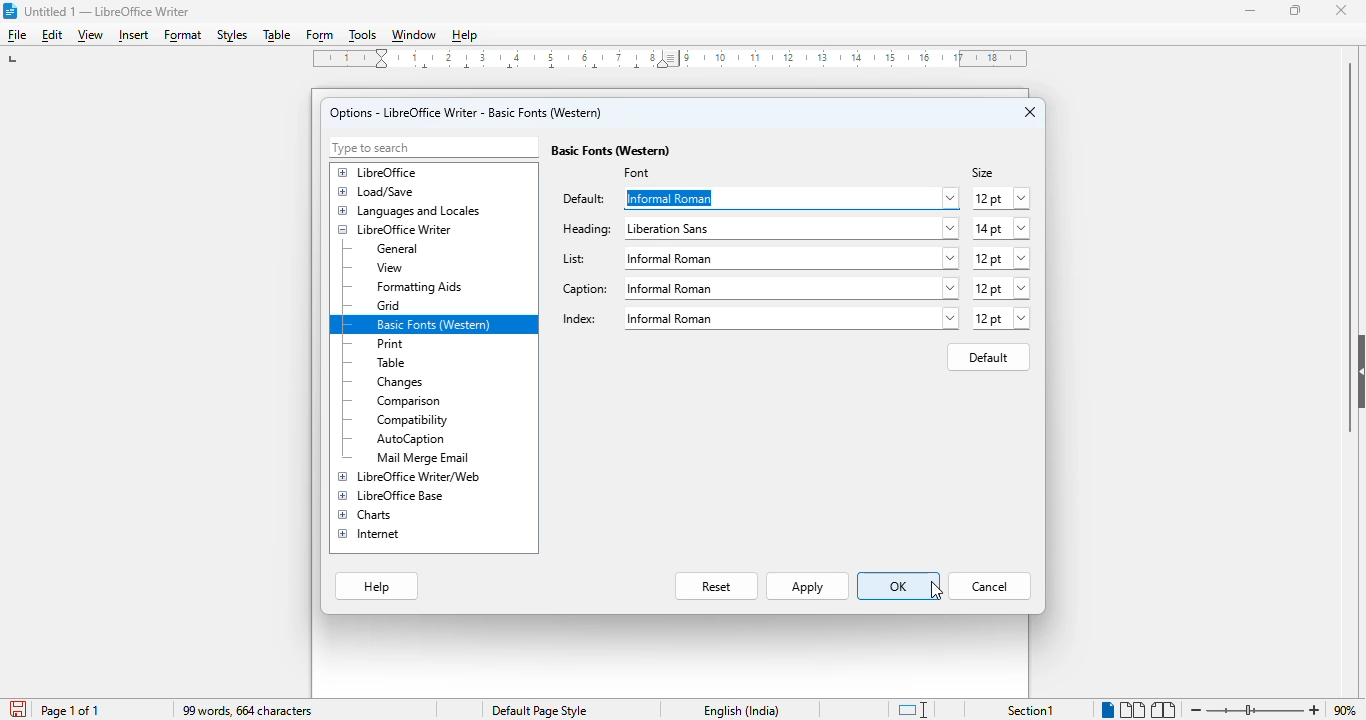 This screenshot has height=720, width=1366. What do you see at coordinates (1346, 710) in the screenshot?
I see `zoom factor` at bounding box center [1346, 710].